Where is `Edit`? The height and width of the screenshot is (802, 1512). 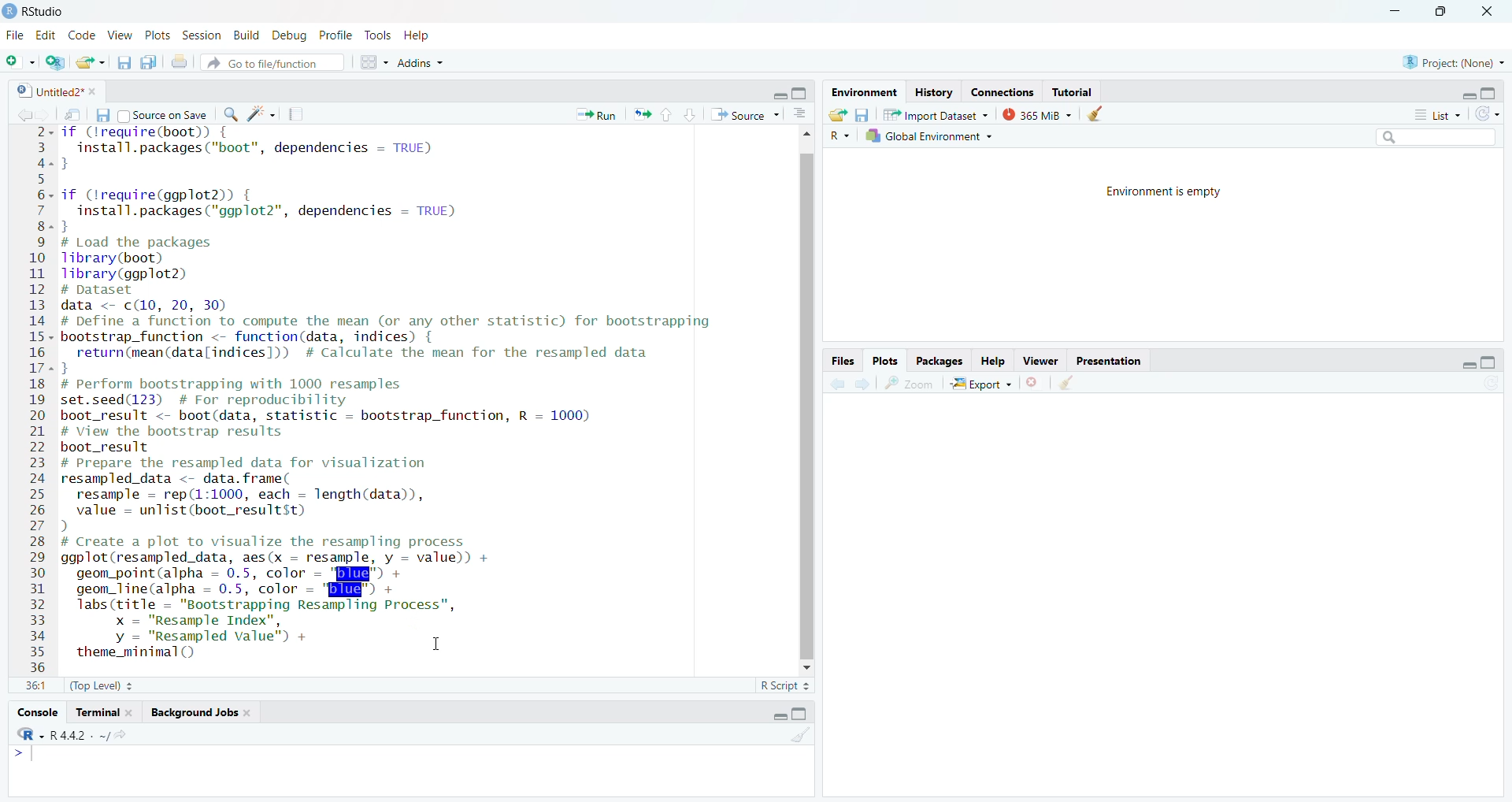
Edit is located at coordinates (45, 35).